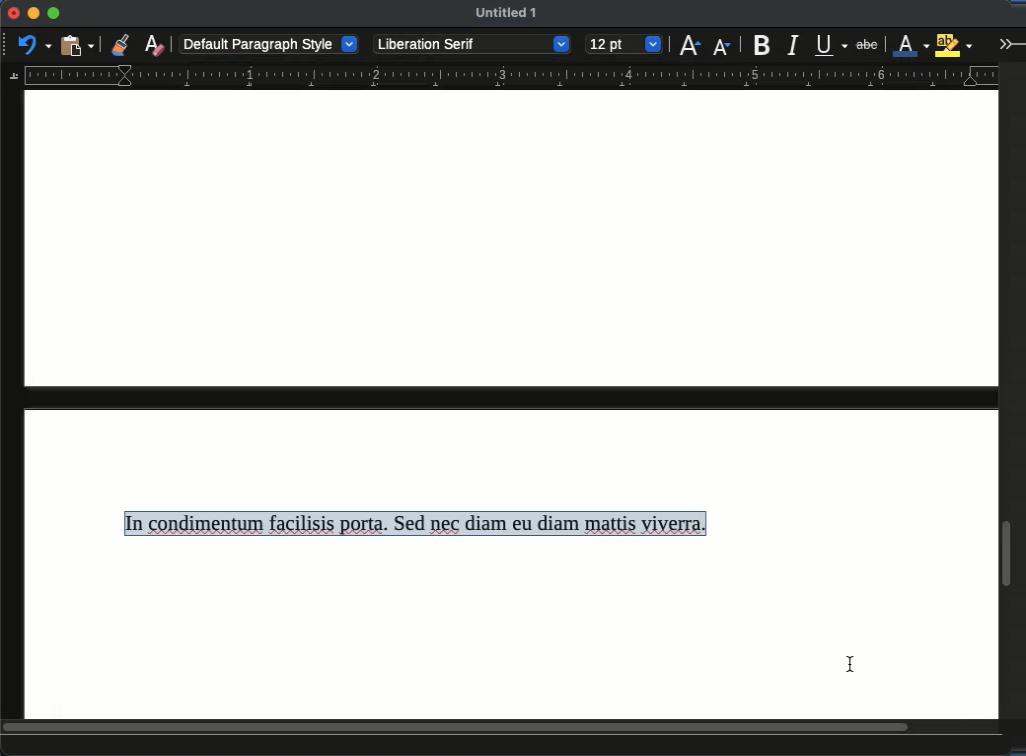 The width and height of the screenshot is (1026, 756). Describe the element at coordinates (407, 321) in the screenshot. I see `spacing` at that location.